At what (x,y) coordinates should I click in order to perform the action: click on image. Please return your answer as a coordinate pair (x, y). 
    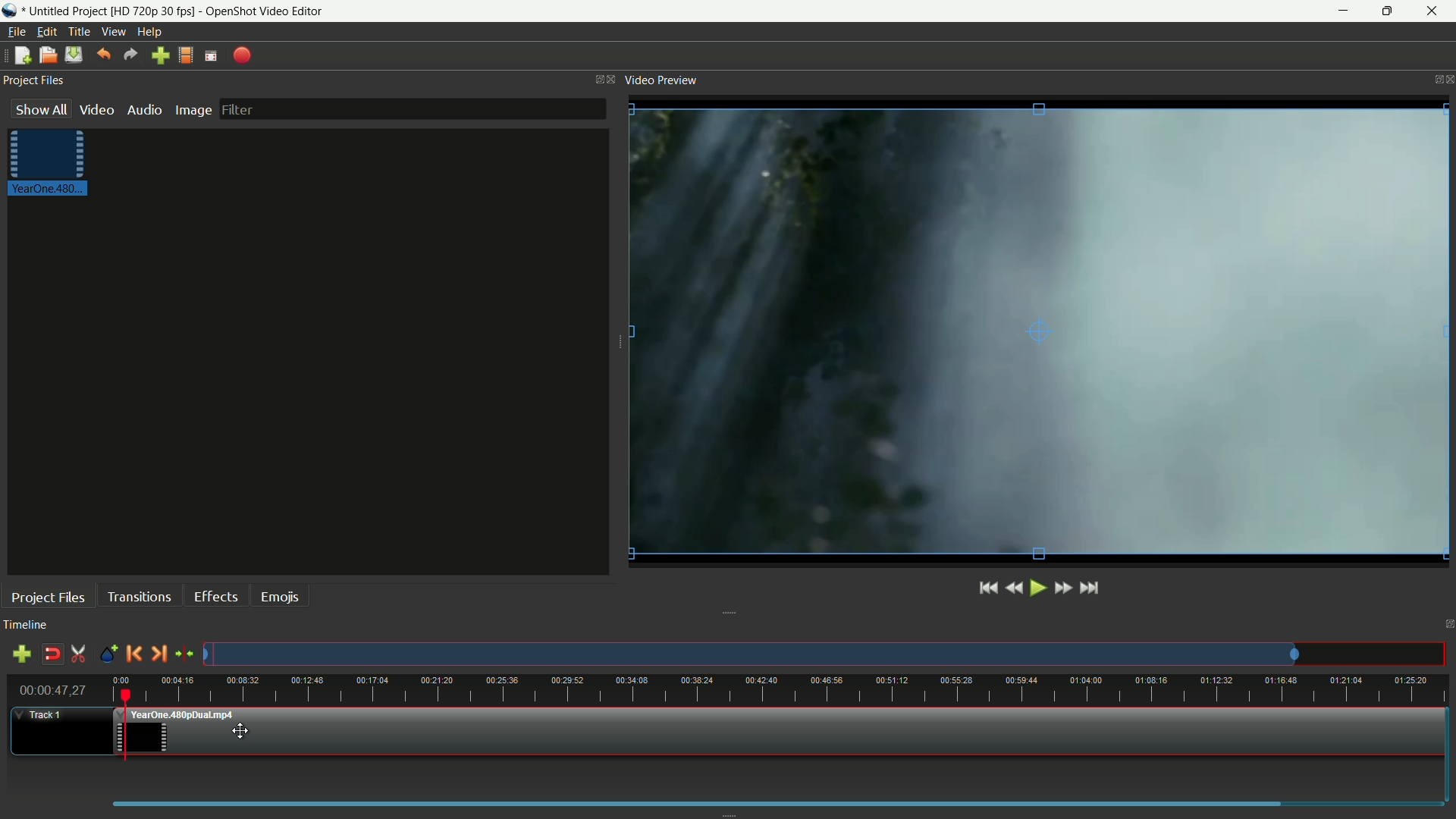
    Looking at the image, I should click on (192, 111).